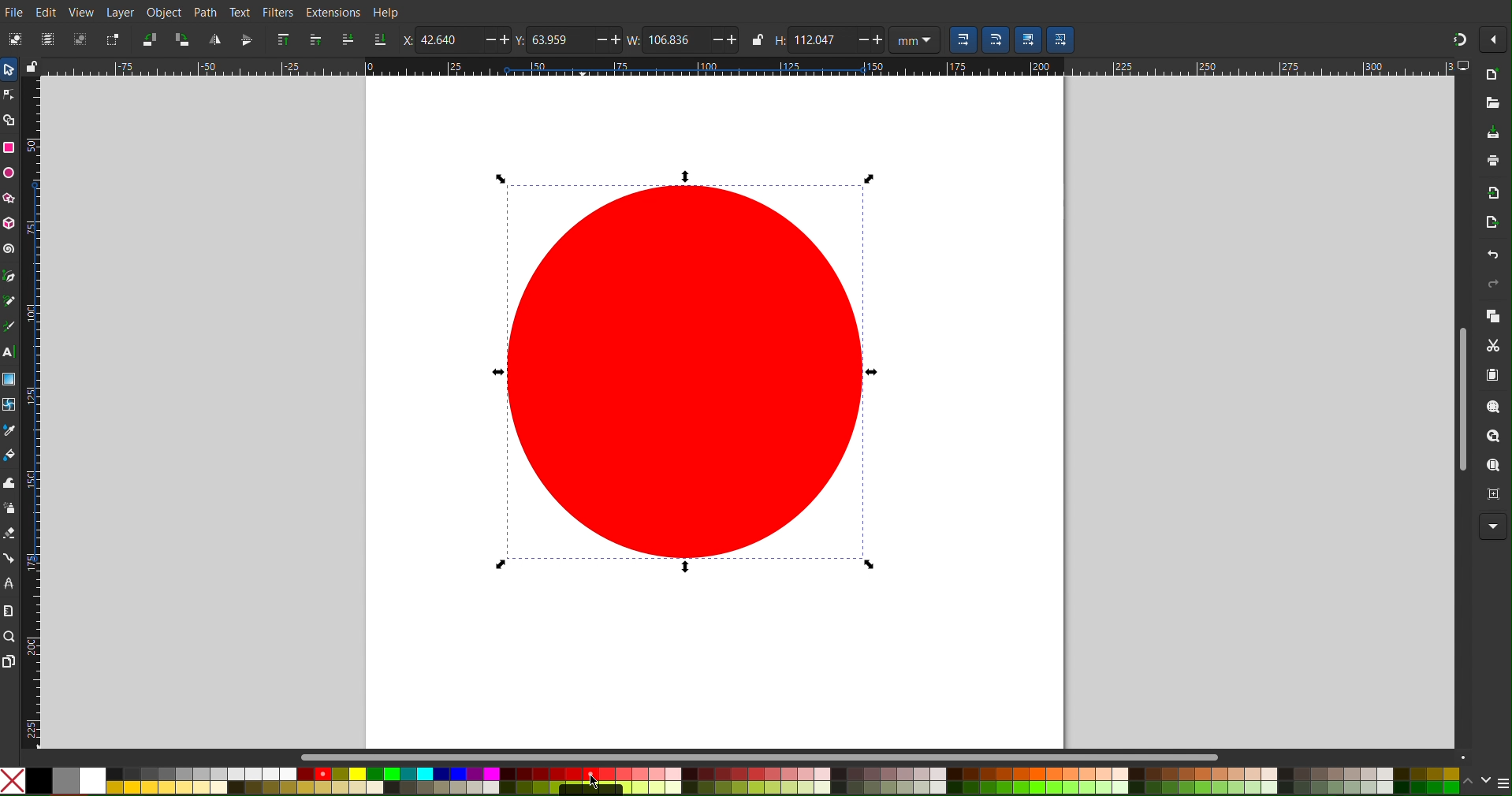  What do you see at coordinates (1493, 315) in the screenshot?
I see `Copy` at bounding box center [1493, 315].